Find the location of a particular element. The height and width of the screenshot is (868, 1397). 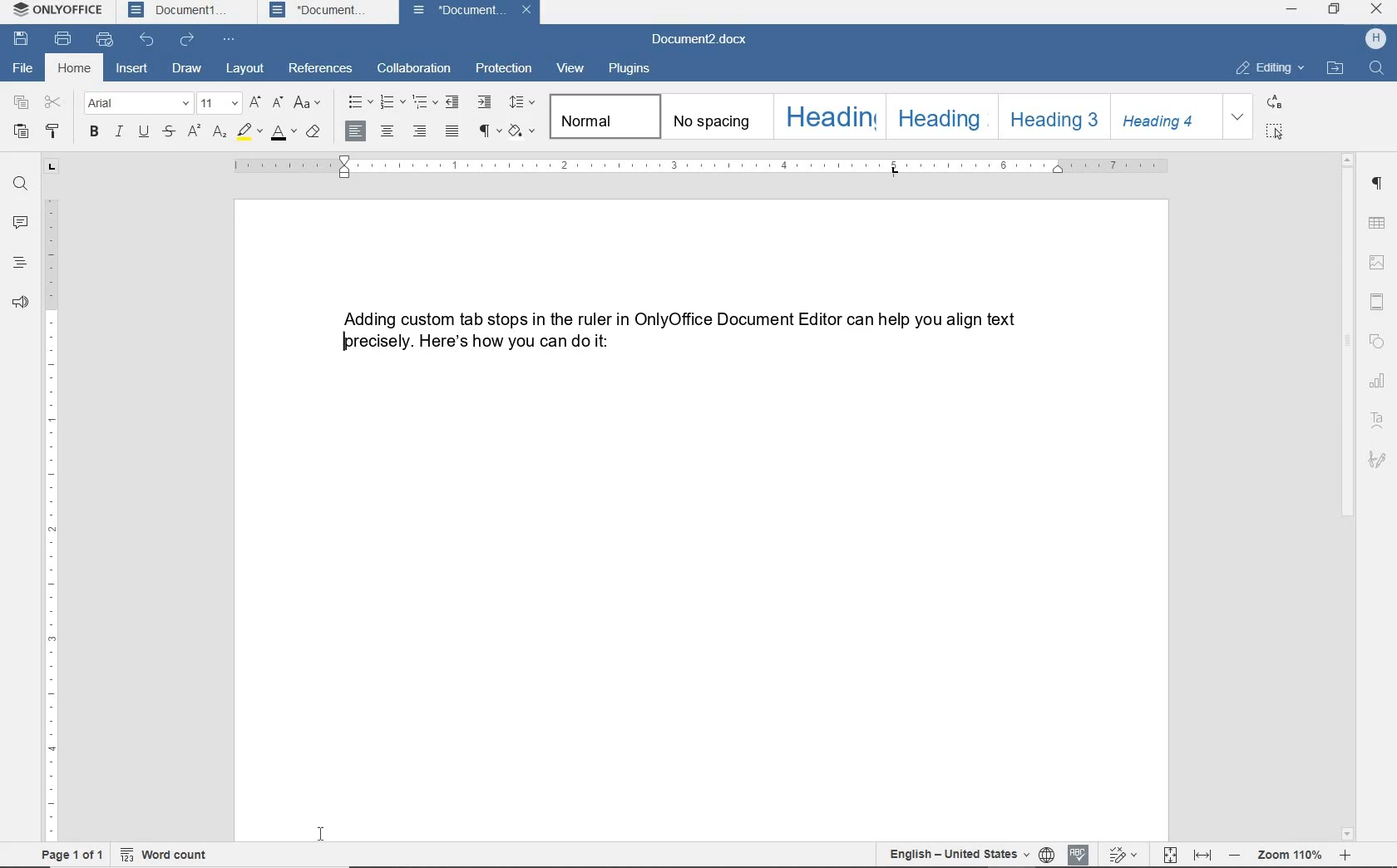

heading 3 is located at coordinates (1054, 118).